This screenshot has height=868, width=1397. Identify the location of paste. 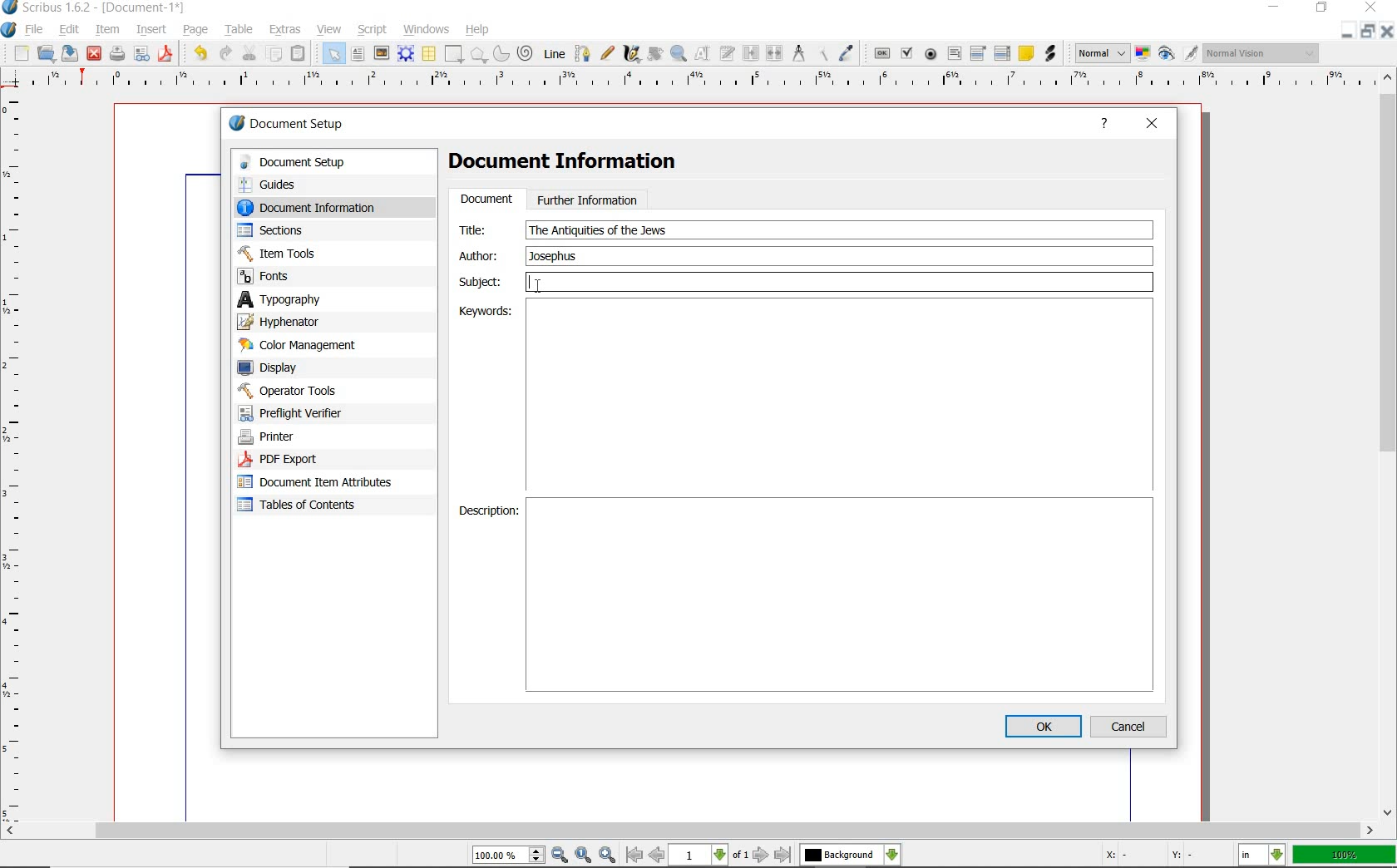
(301, 52).